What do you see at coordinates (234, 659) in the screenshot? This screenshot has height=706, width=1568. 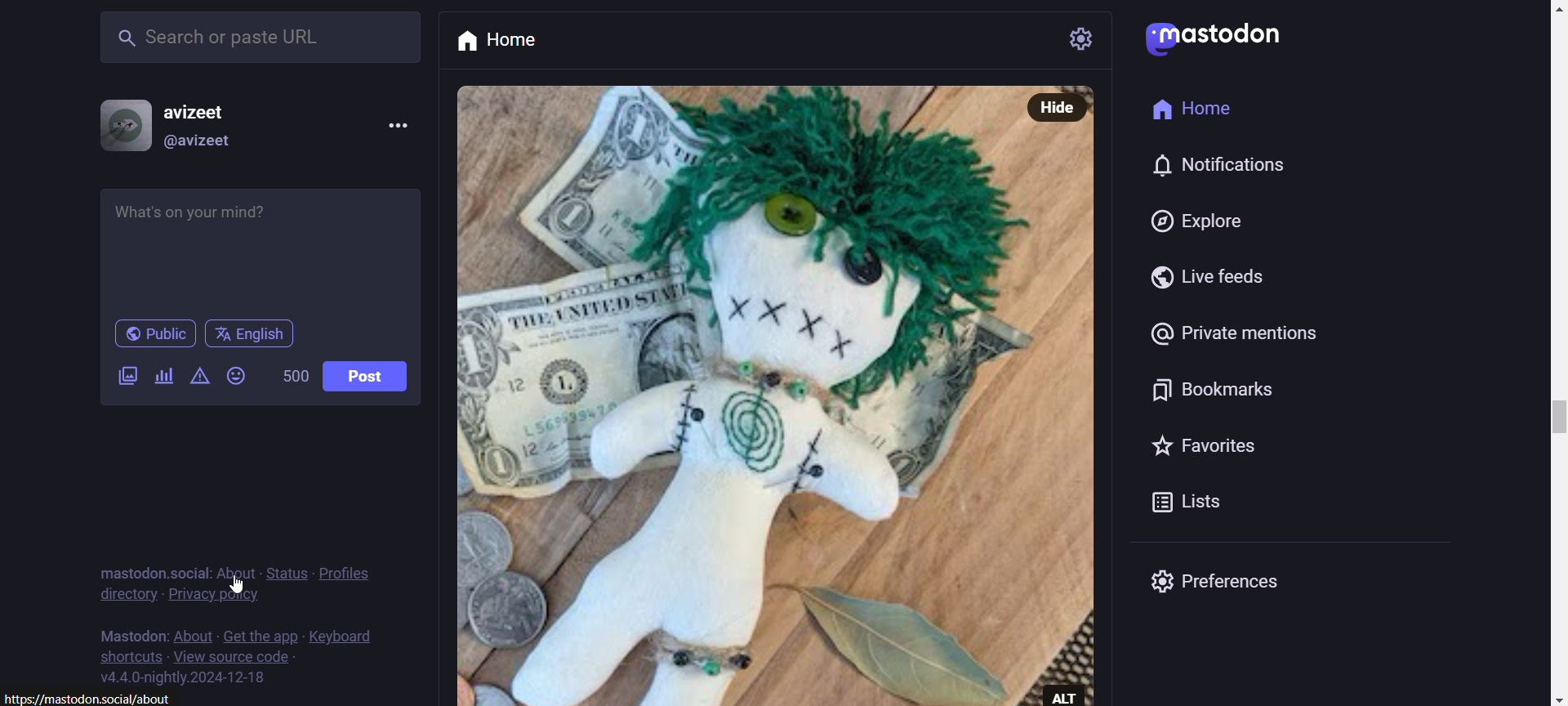 I see `view source code` at bounding box center [234, 659].